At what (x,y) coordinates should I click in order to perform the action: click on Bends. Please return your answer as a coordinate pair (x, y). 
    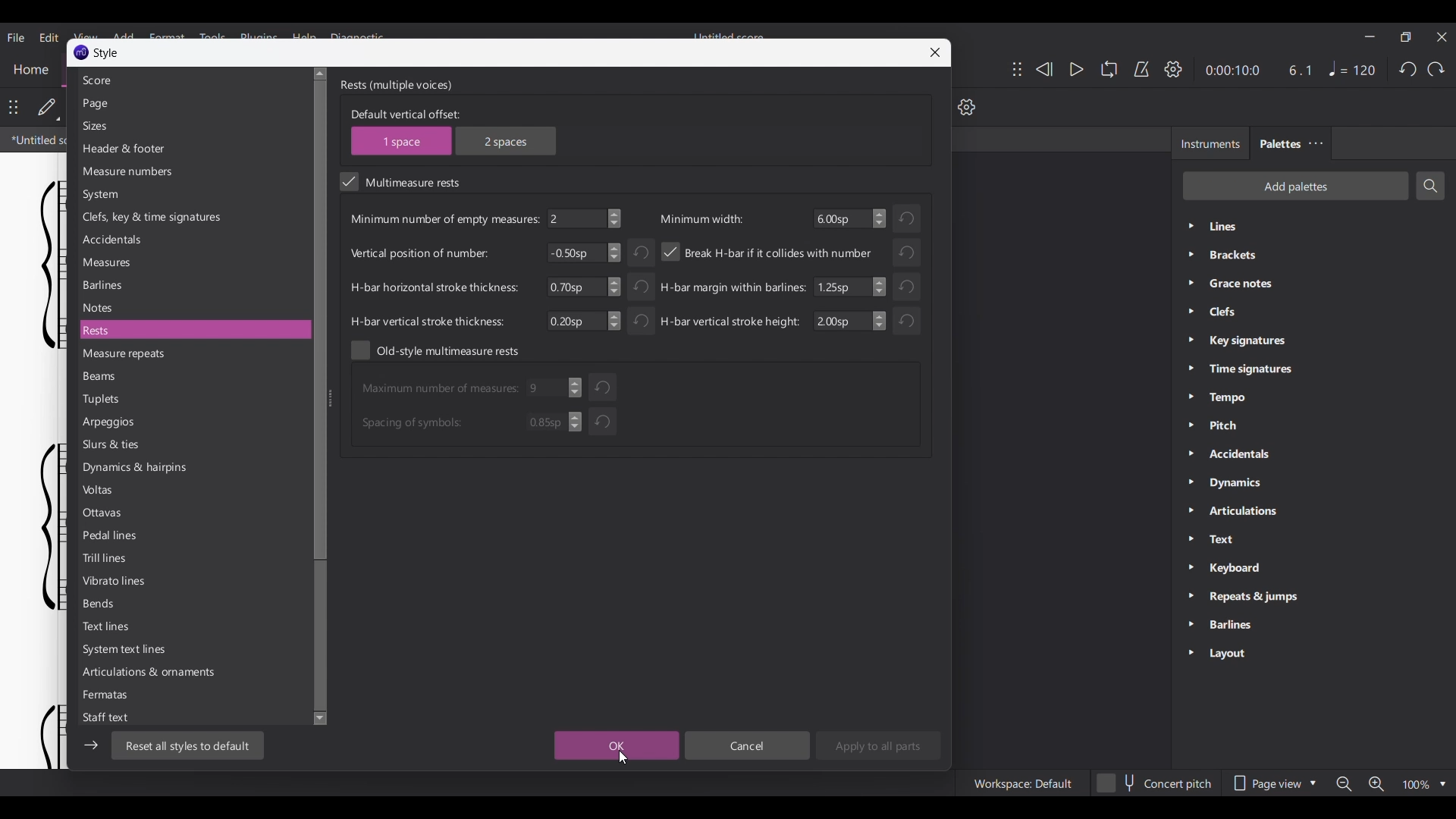
    Looking at the image, I should click on (192, 604).